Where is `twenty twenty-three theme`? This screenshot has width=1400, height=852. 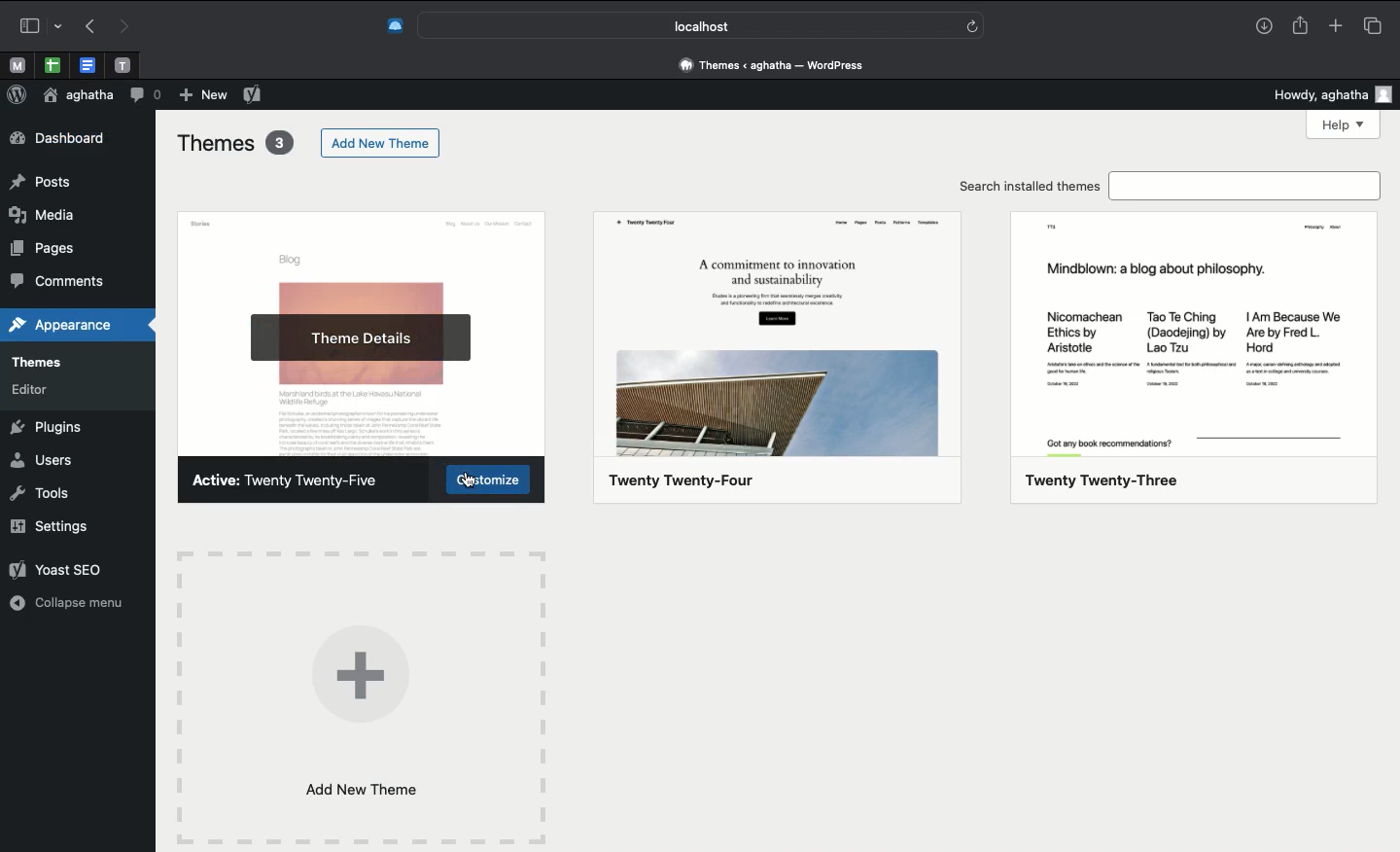 twenty twenty-three theme is located at coordinates (1194, 359).